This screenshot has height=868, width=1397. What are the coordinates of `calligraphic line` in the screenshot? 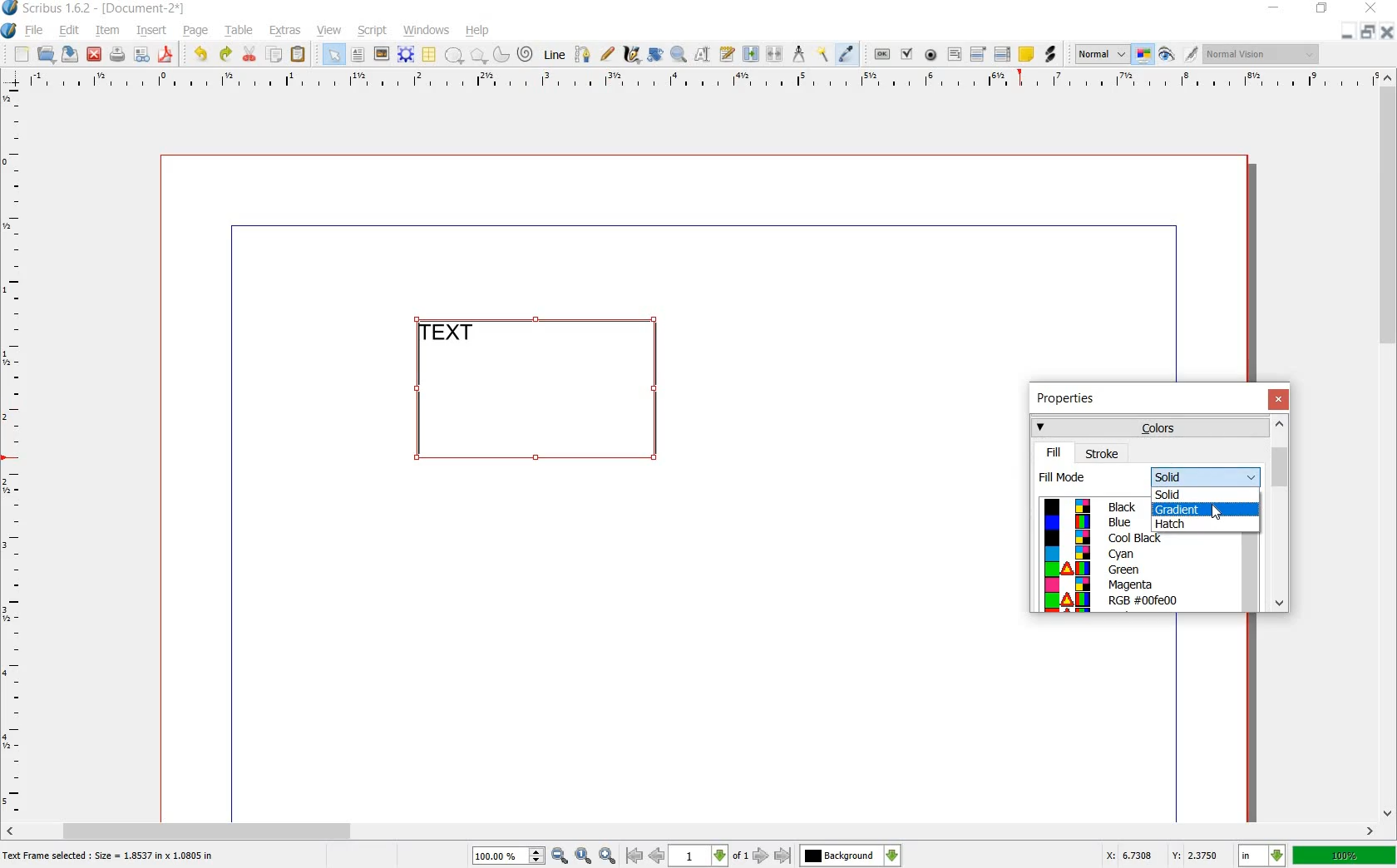 It's located at (631, 53).